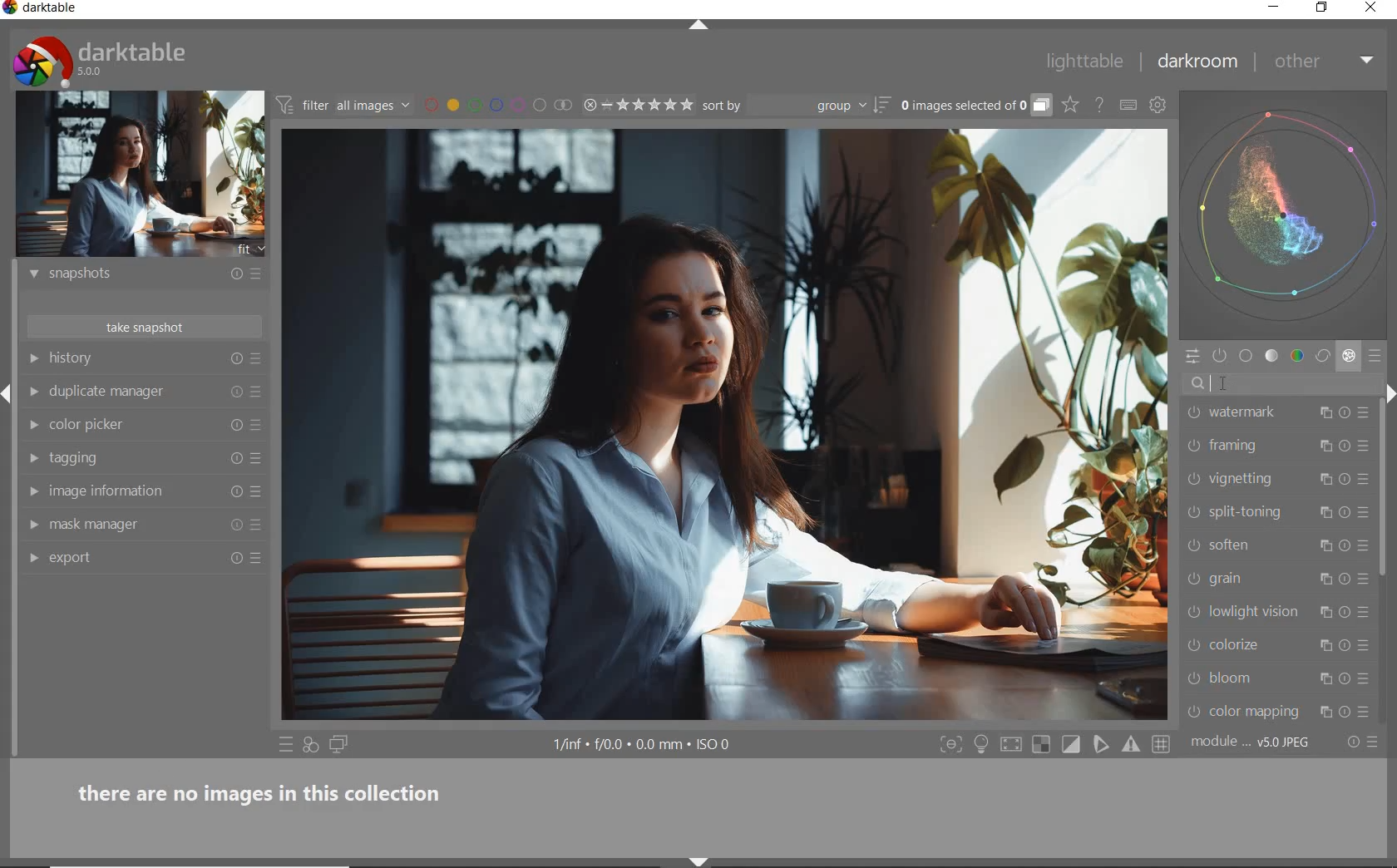 This screenshot has width=1397, height=868. What do you see at coordinates (1272, 358) in the screenshot?
I see `tone` at bounding box center [1272, 358].